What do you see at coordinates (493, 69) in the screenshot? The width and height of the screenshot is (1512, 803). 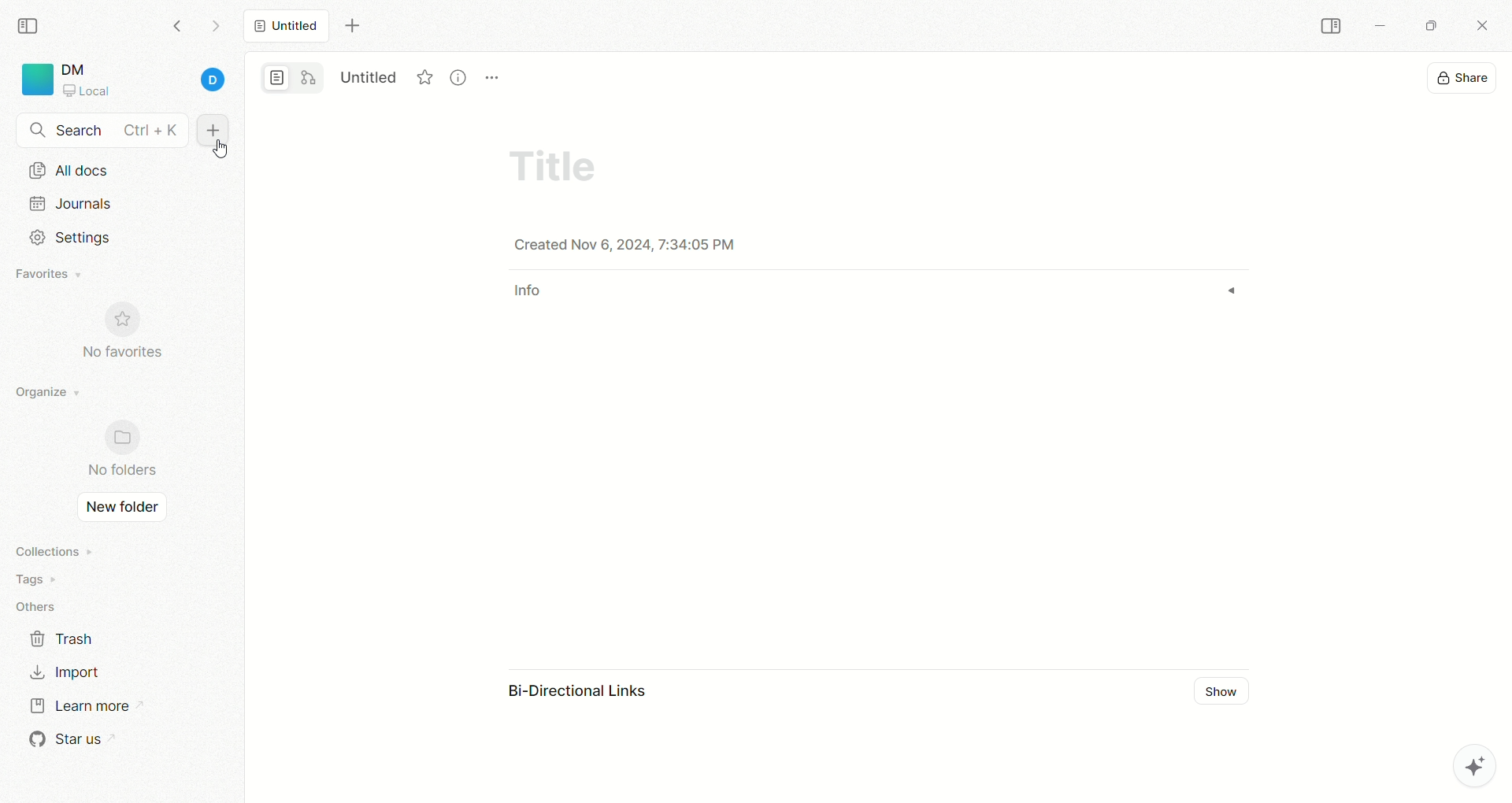 I see `options` at bounding box center [493, 69].